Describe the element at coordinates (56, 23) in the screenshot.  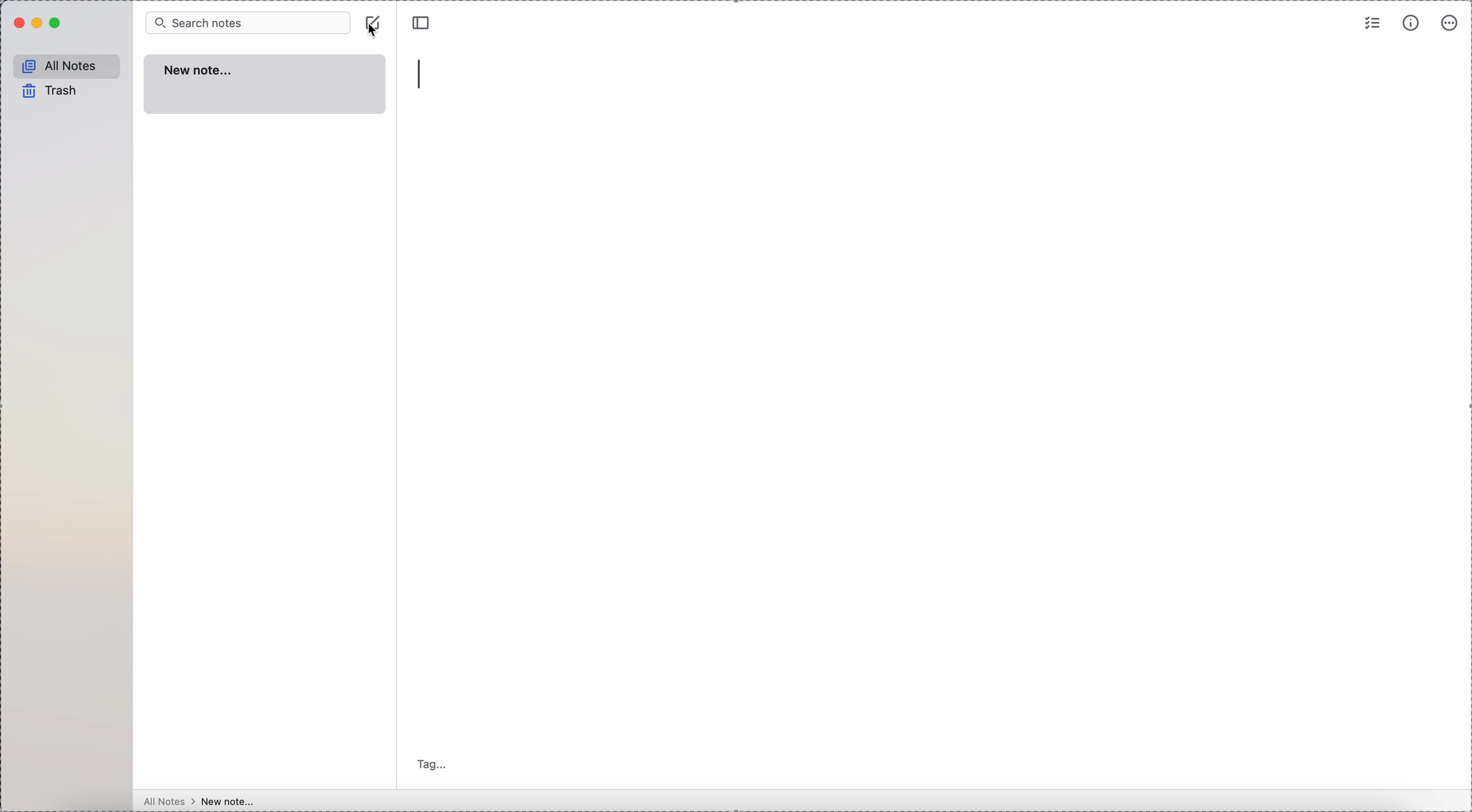
I see `maximize Simplenote` at that location.